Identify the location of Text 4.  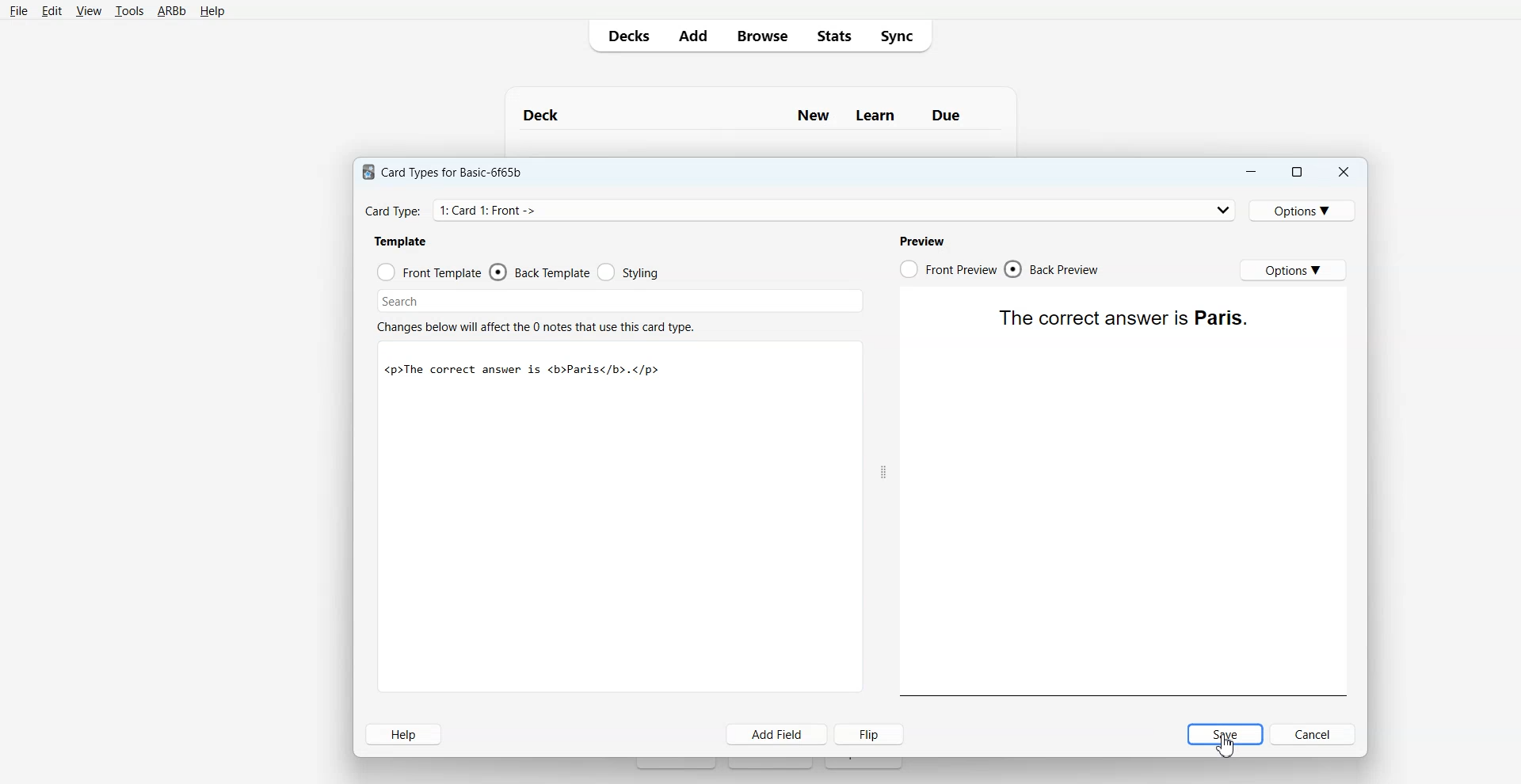
(925, 239).